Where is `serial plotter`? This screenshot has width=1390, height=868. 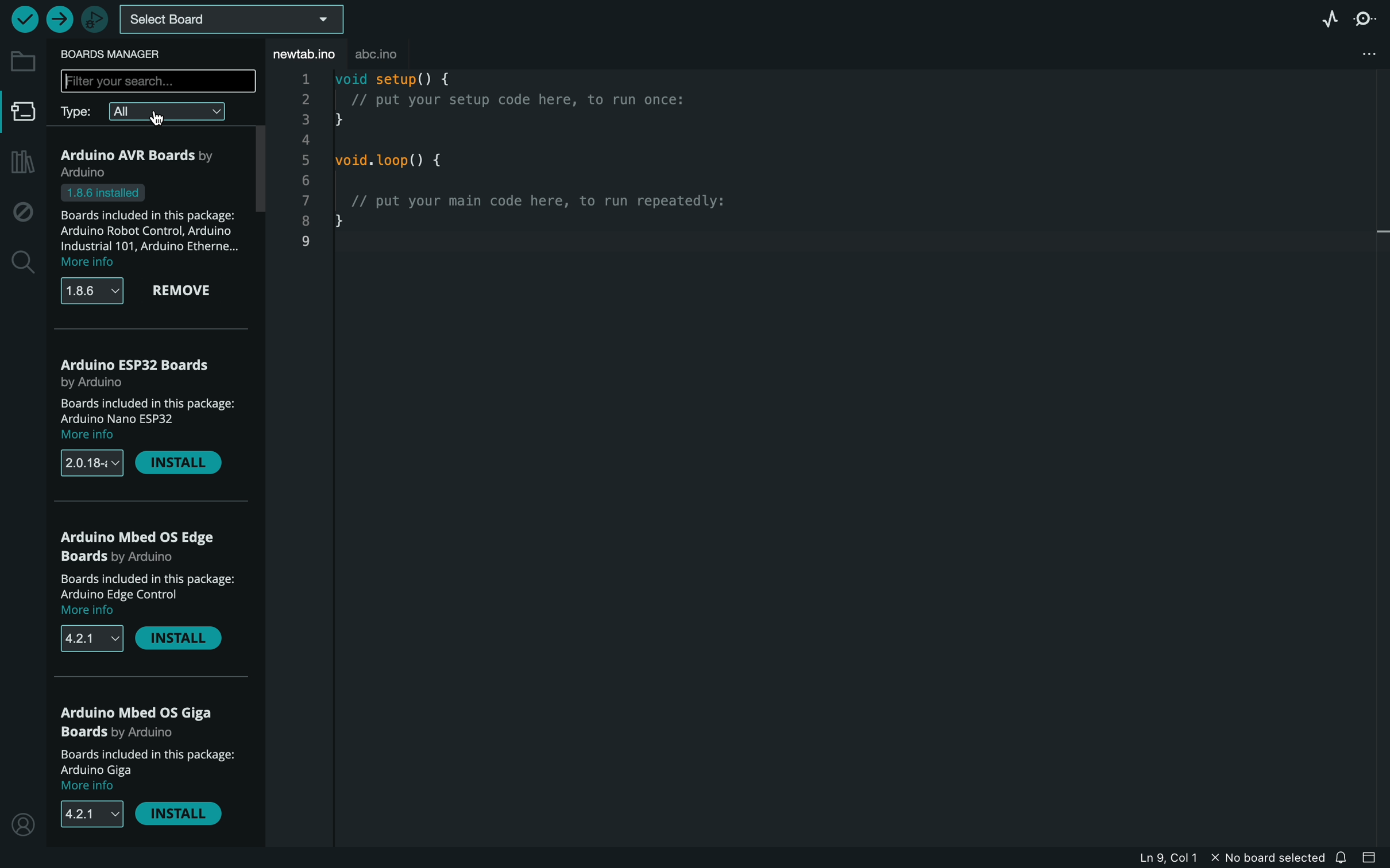 serial plotter is located at coordinates (1328, 20).